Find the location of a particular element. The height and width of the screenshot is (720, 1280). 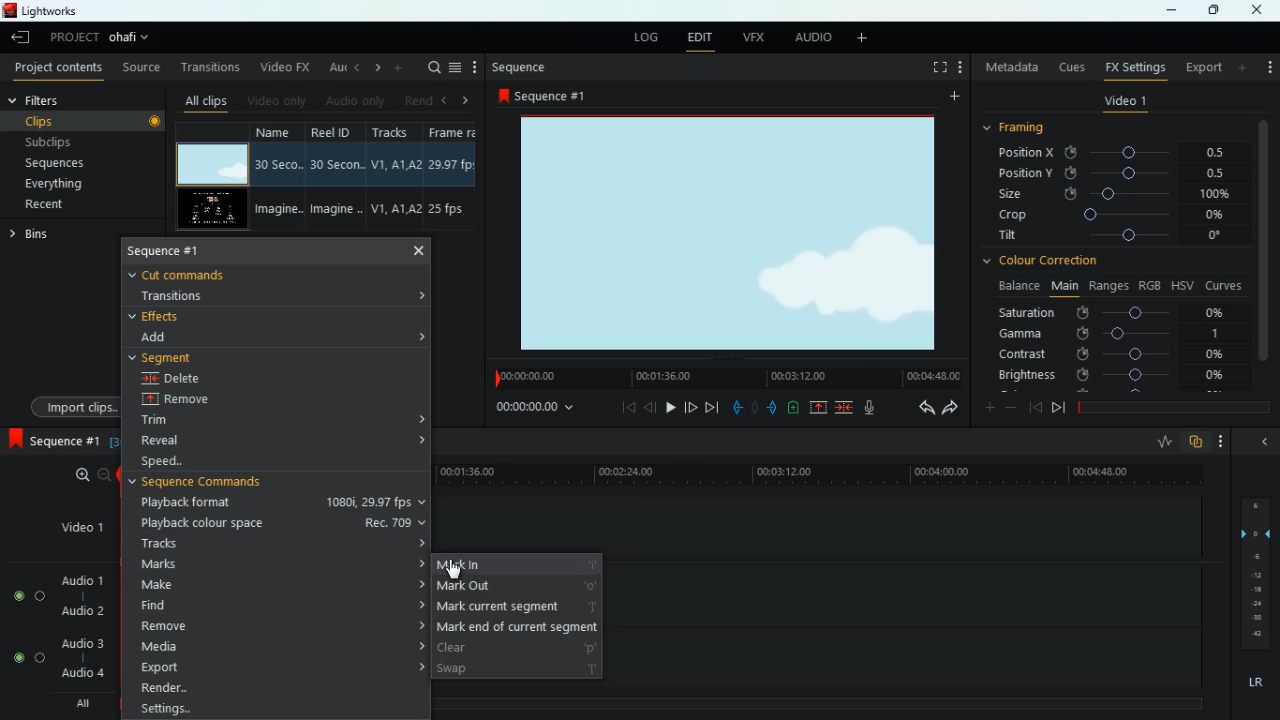

segment is located at coordinates (173, 358).